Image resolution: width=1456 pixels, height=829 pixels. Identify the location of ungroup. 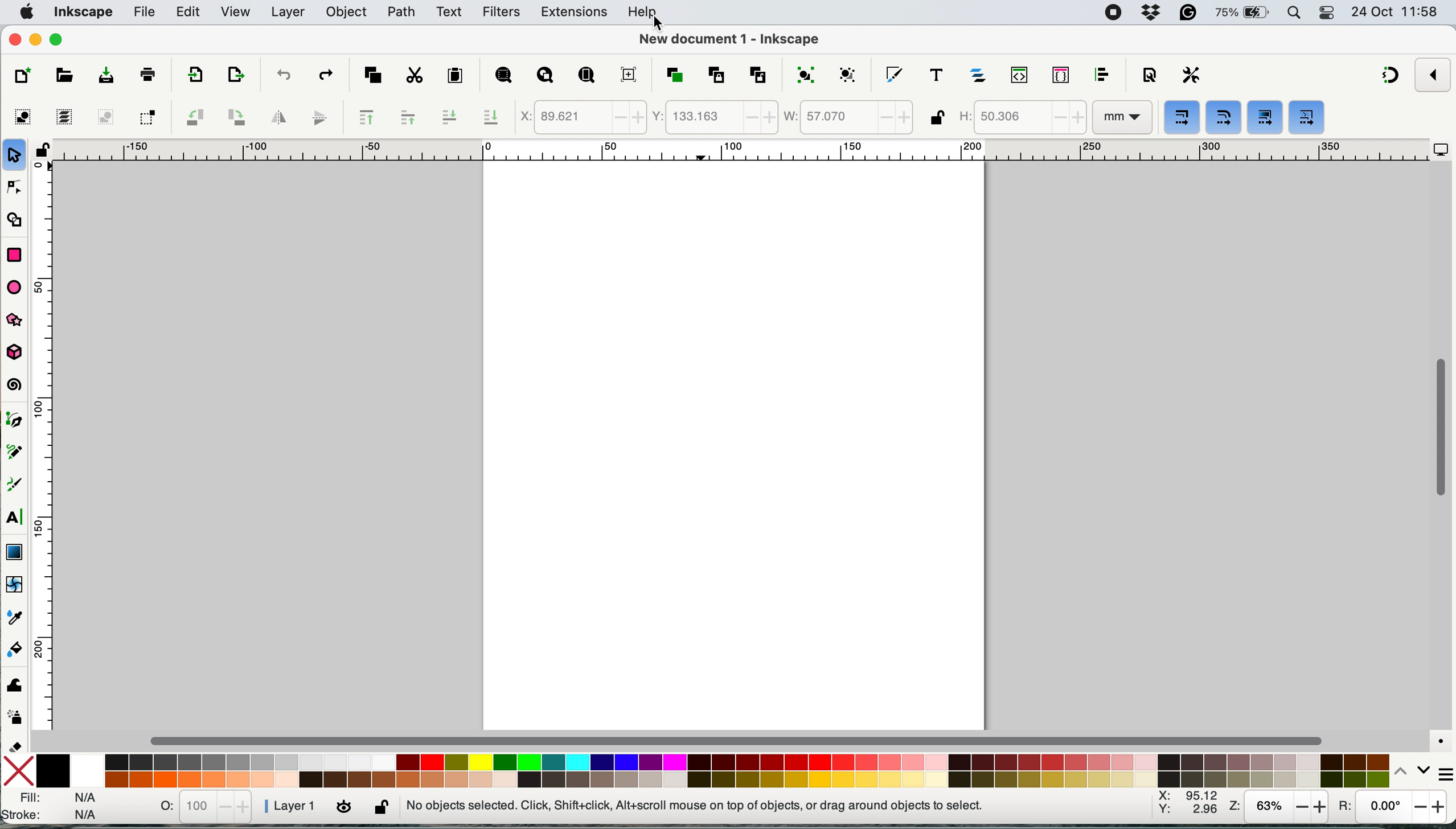
(845, 75).